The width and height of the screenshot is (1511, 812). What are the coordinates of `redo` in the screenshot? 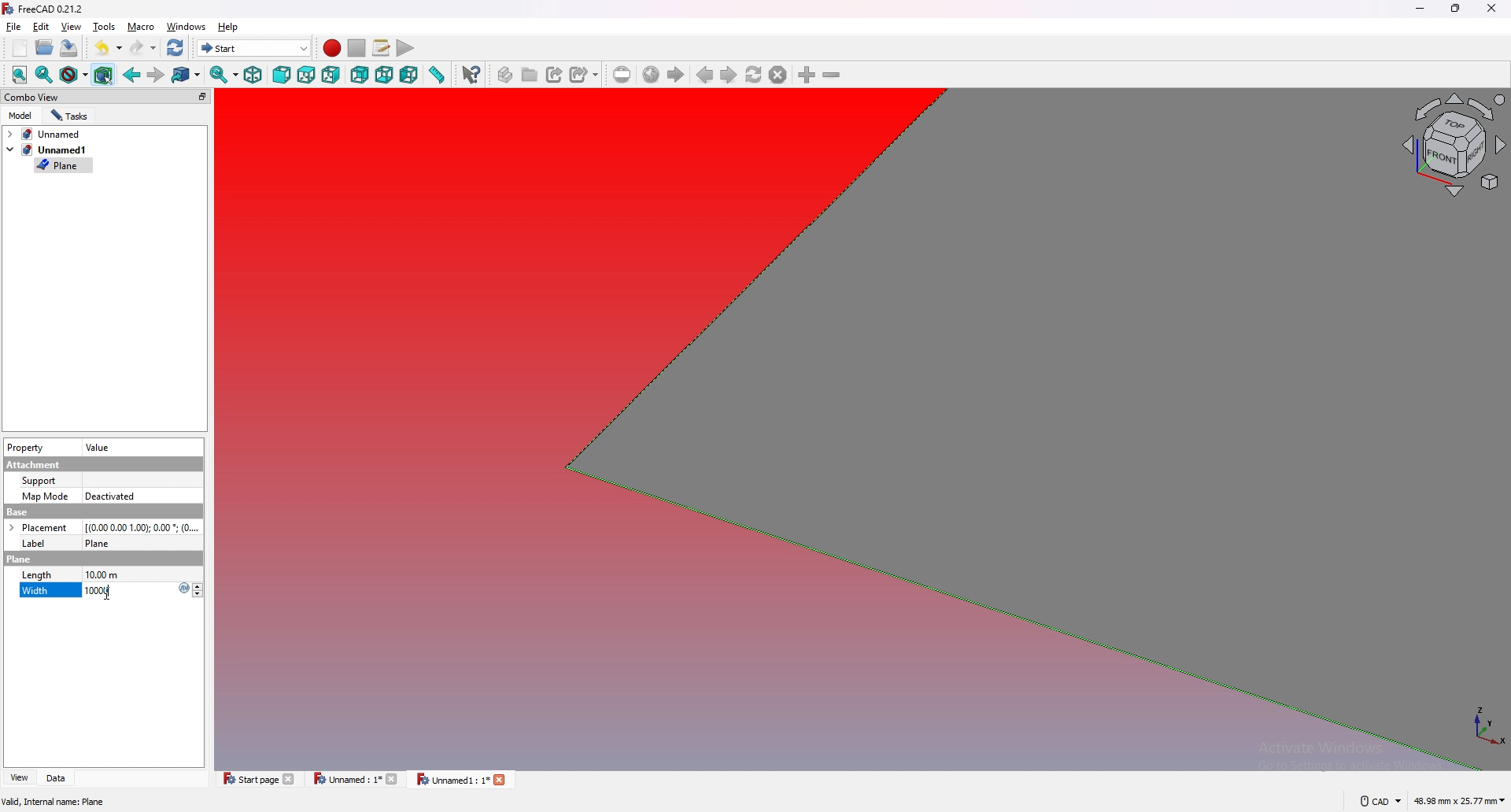 It's located at (144, 48).